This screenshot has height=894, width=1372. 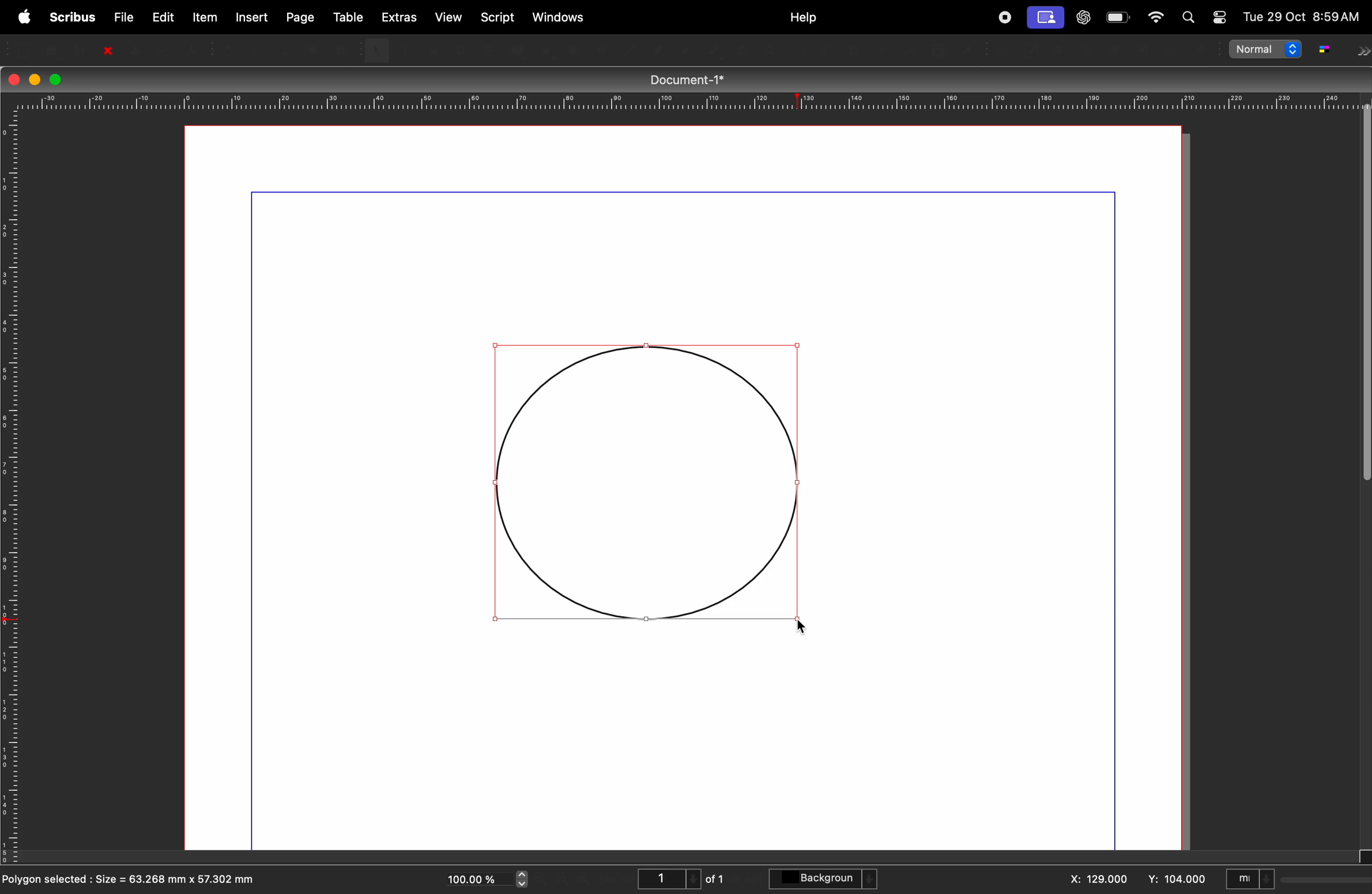 I want to click on Table, so click(x=487, y=49).